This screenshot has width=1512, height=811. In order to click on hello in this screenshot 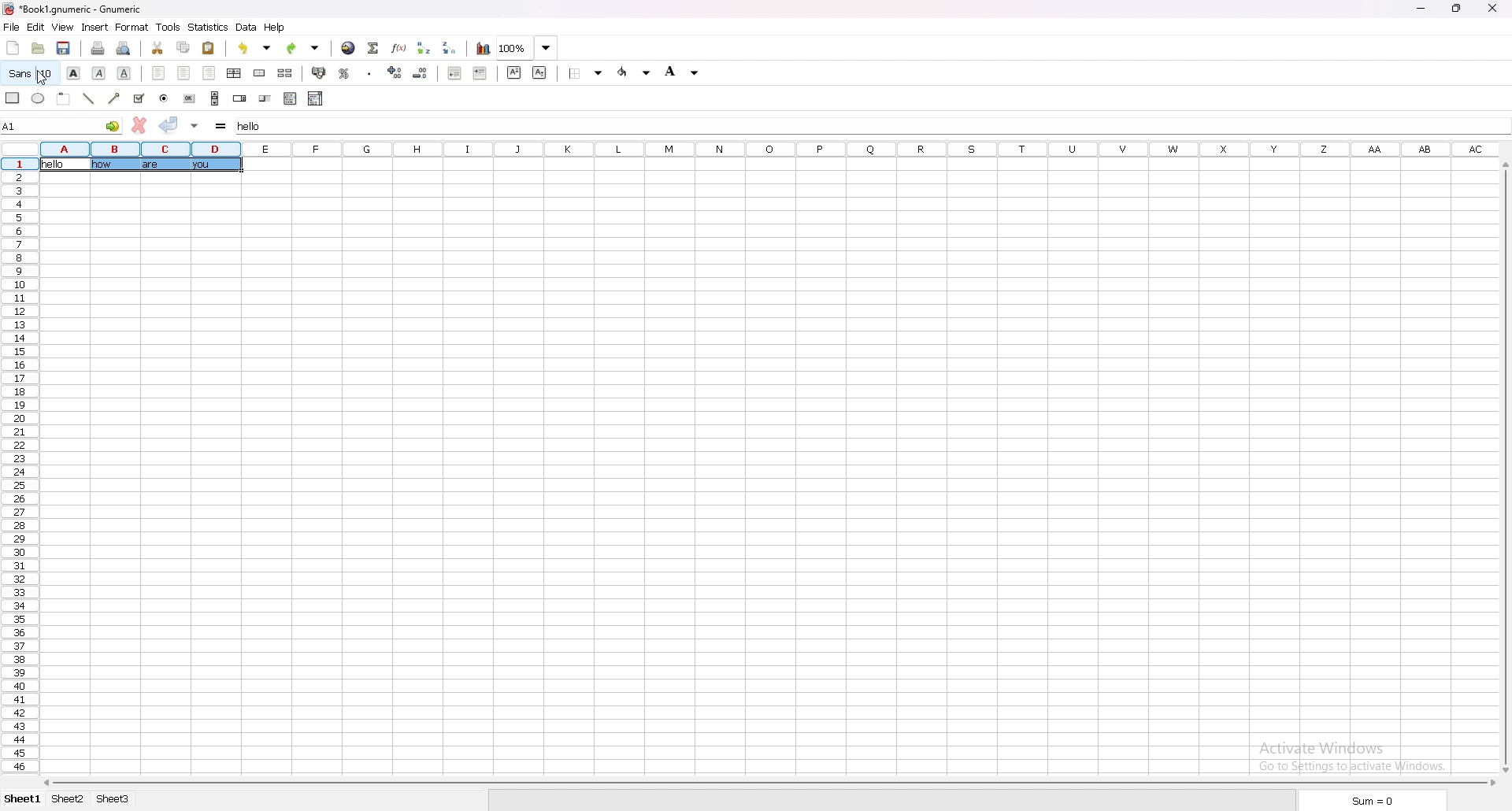, I will do `click(57, 165)`.